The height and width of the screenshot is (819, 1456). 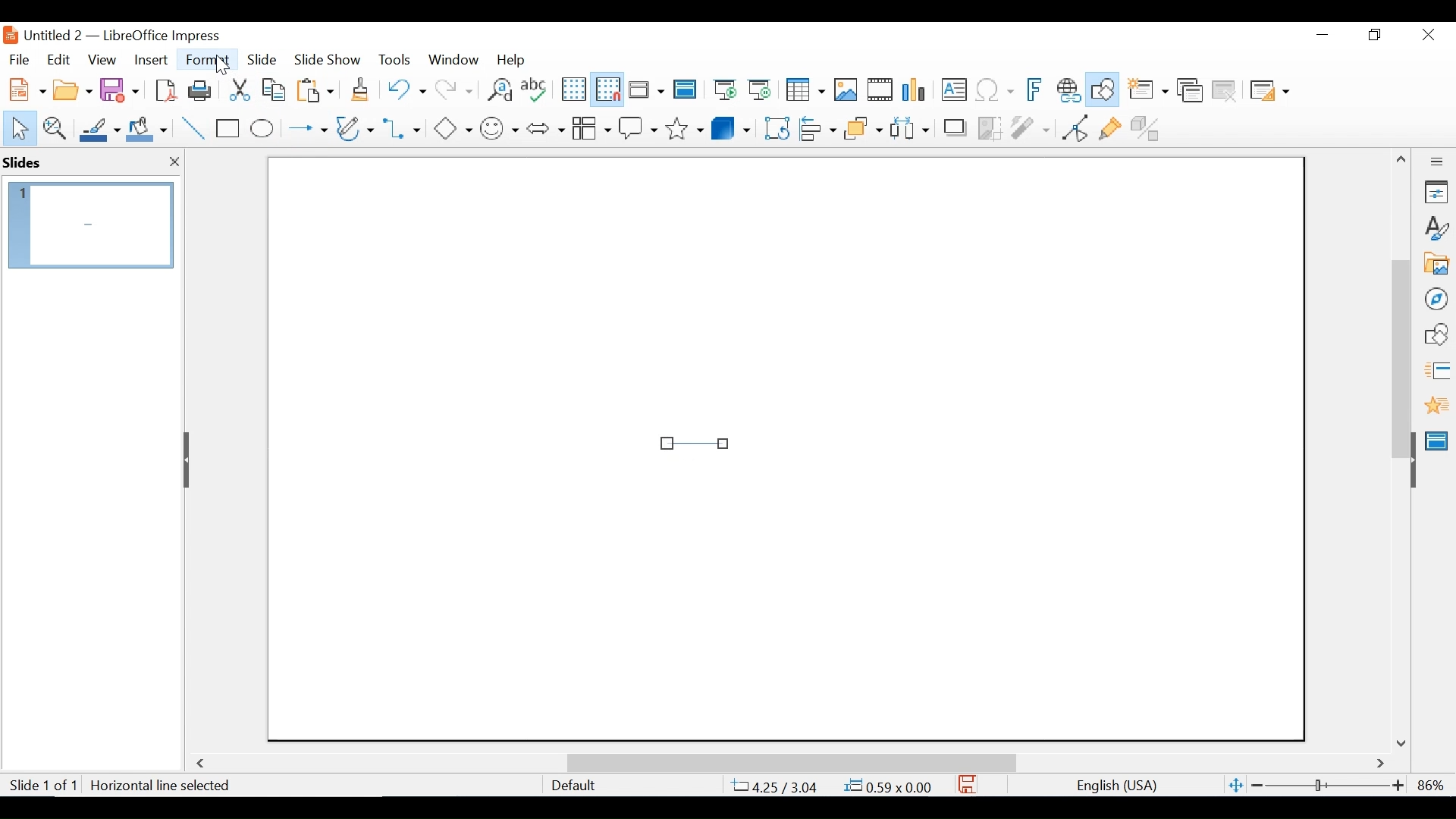 I want to click on Fit Slide to current window, so click(x=1236, y=786).